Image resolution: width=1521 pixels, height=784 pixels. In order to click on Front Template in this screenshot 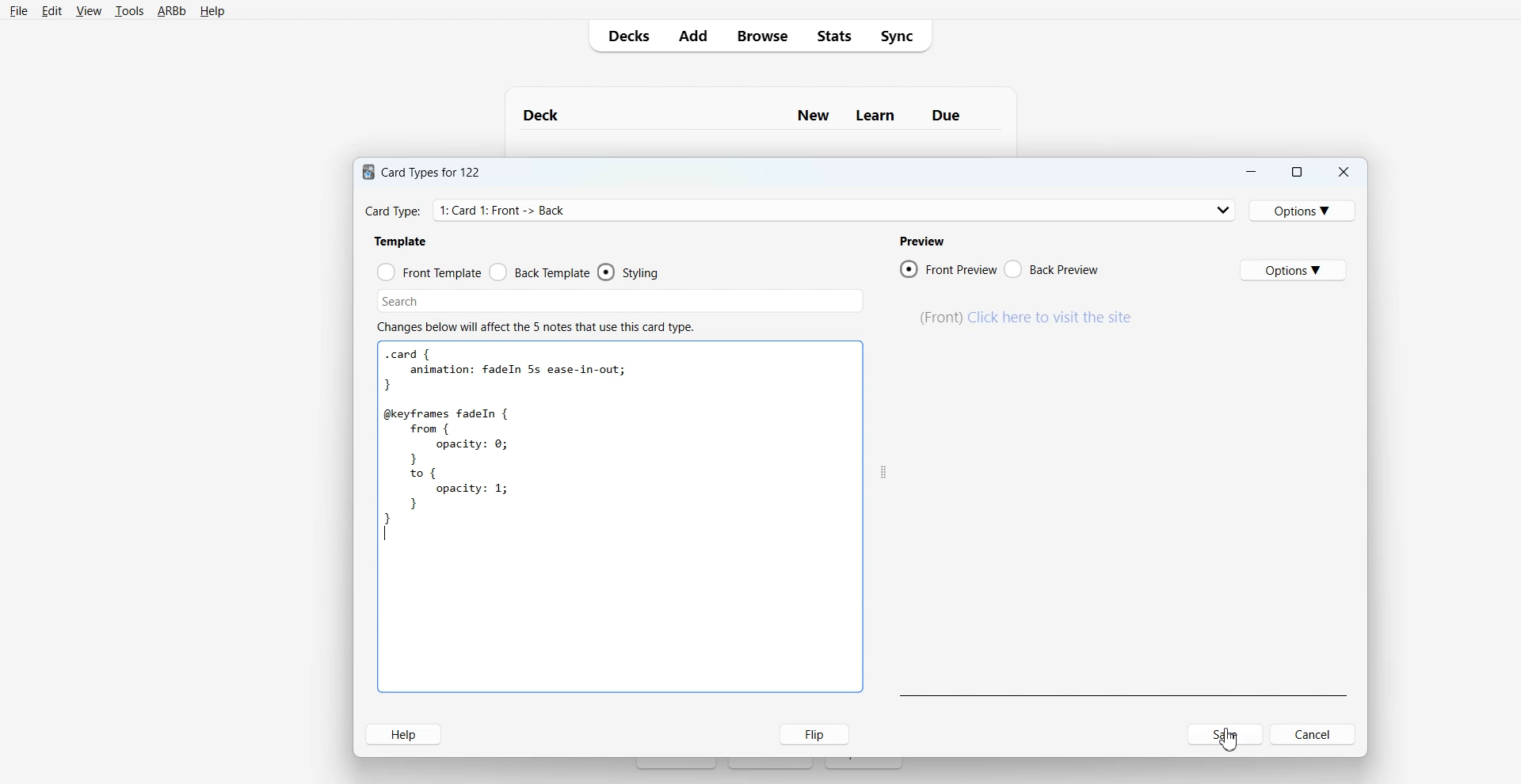, I will do `click(540, 272)`.